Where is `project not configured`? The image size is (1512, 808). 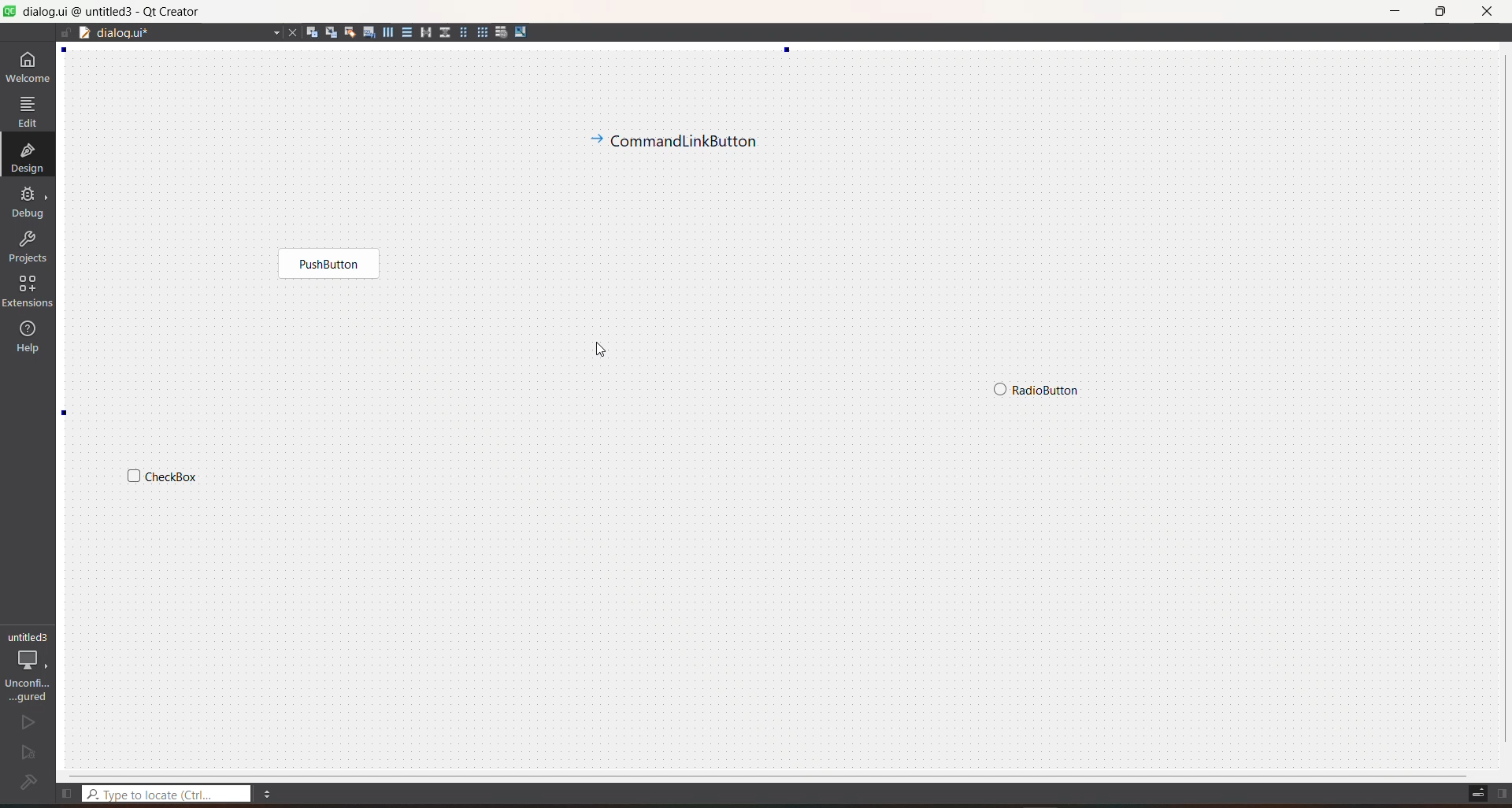
project not configured is located at coordinates (28, 783).